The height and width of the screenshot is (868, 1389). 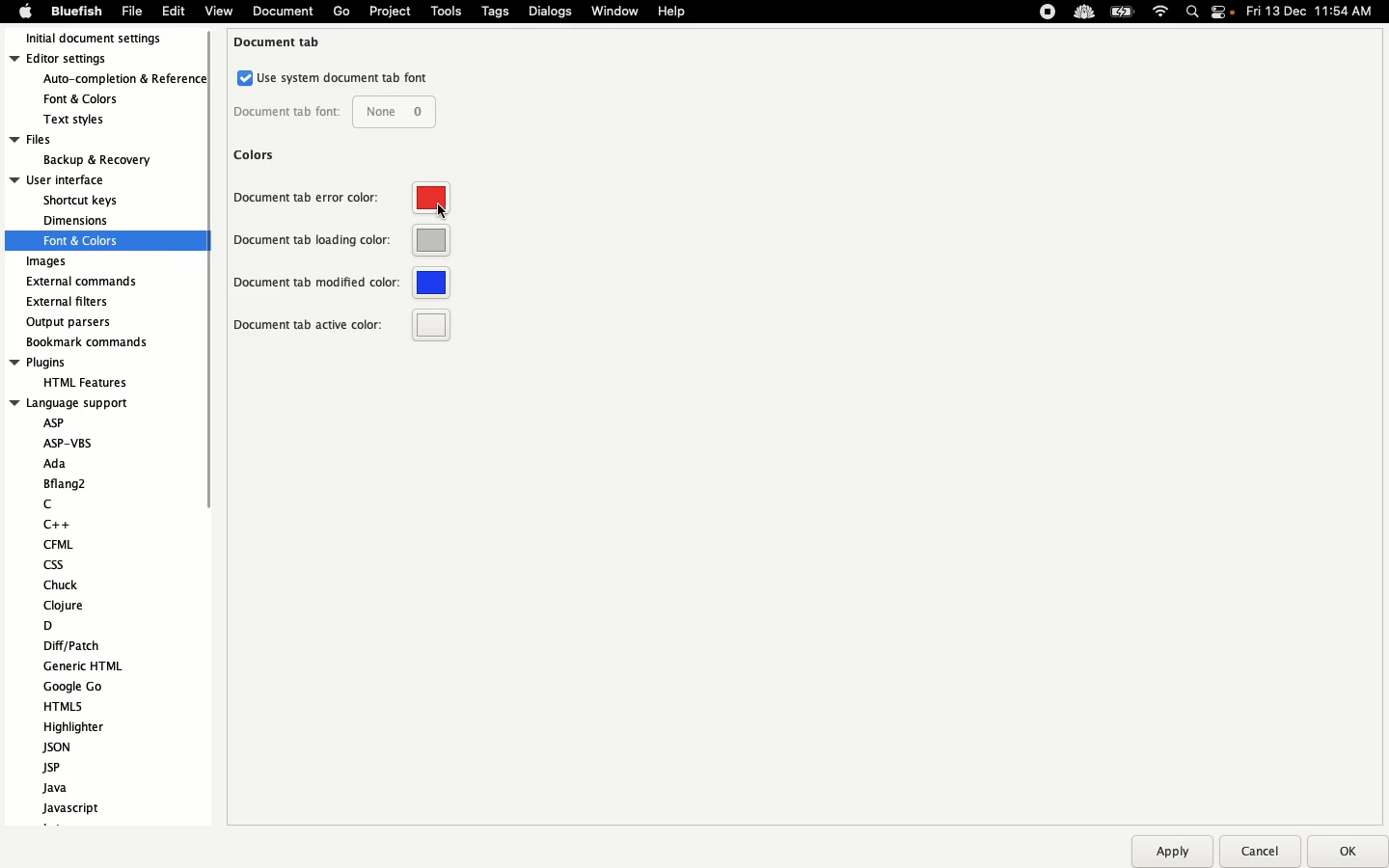 What do you see at coordinates (342, 283) in the screenshot?
I see `Document tab modified color` at bounding box center [342, 283].